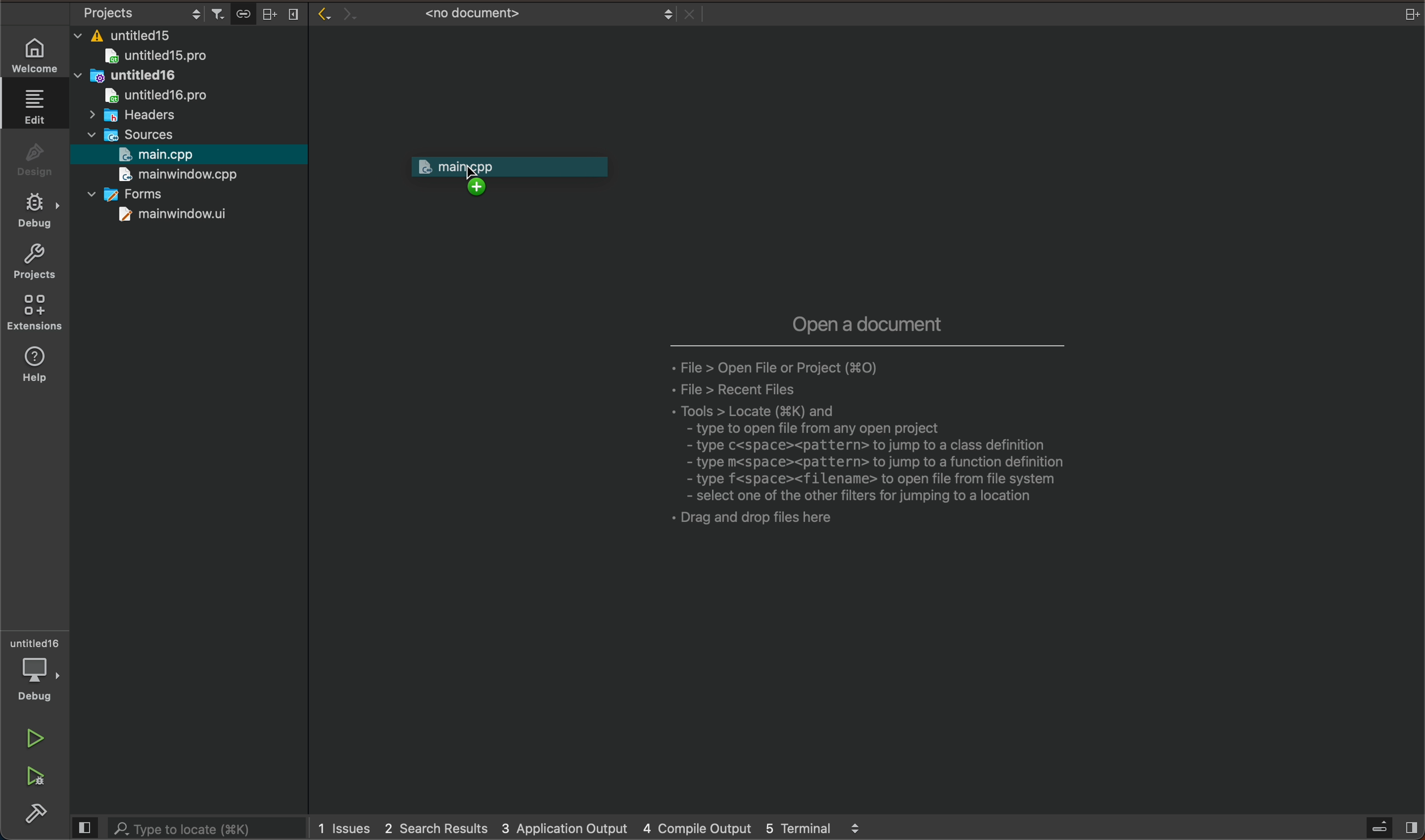  What do you see at coordinates (244, 14) in the screenshot?
I see `` at bounding box center [244, 14].